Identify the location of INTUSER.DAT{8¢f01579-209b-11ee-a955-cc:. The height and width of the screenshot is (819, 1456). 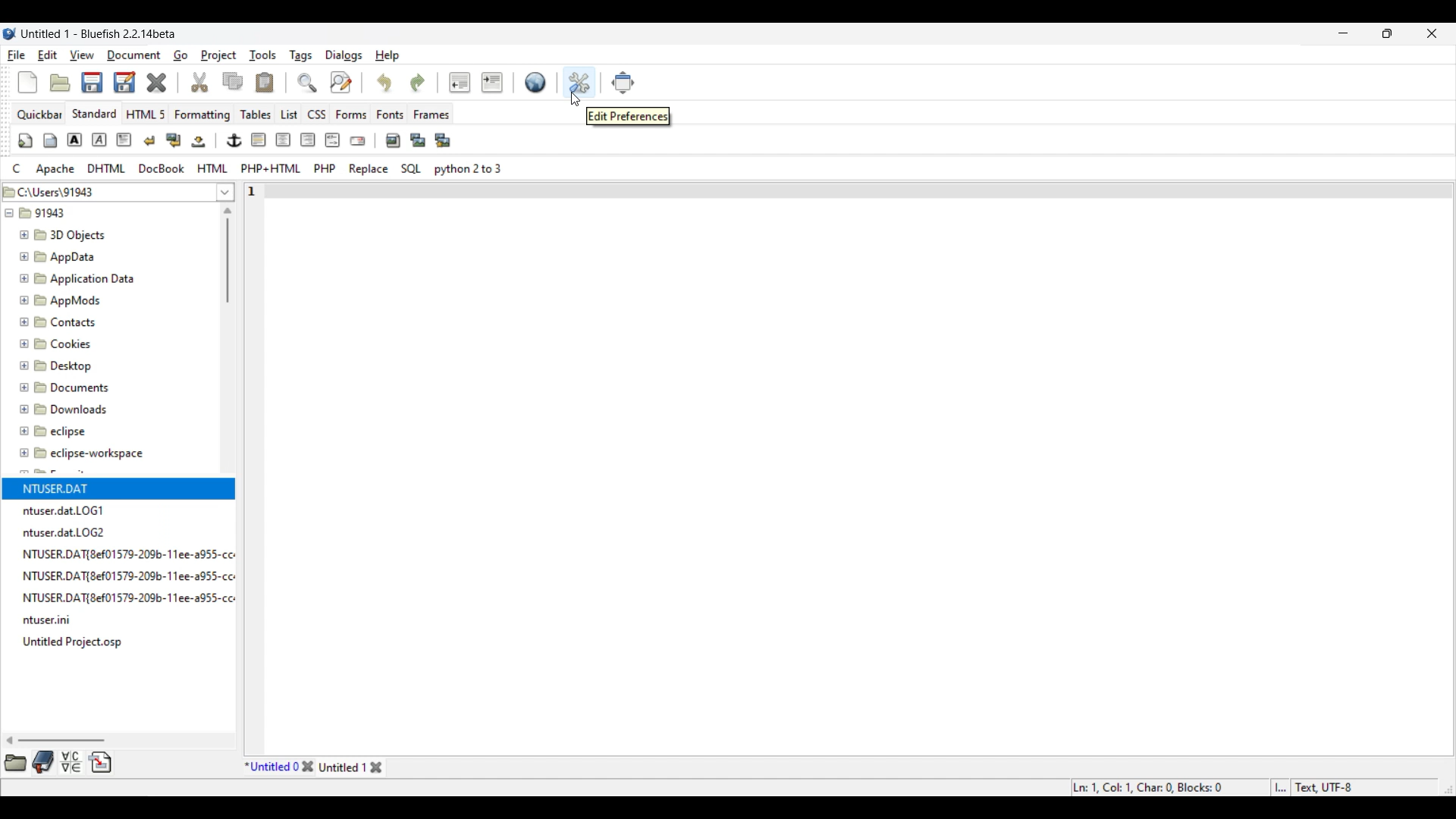
(137, 576).